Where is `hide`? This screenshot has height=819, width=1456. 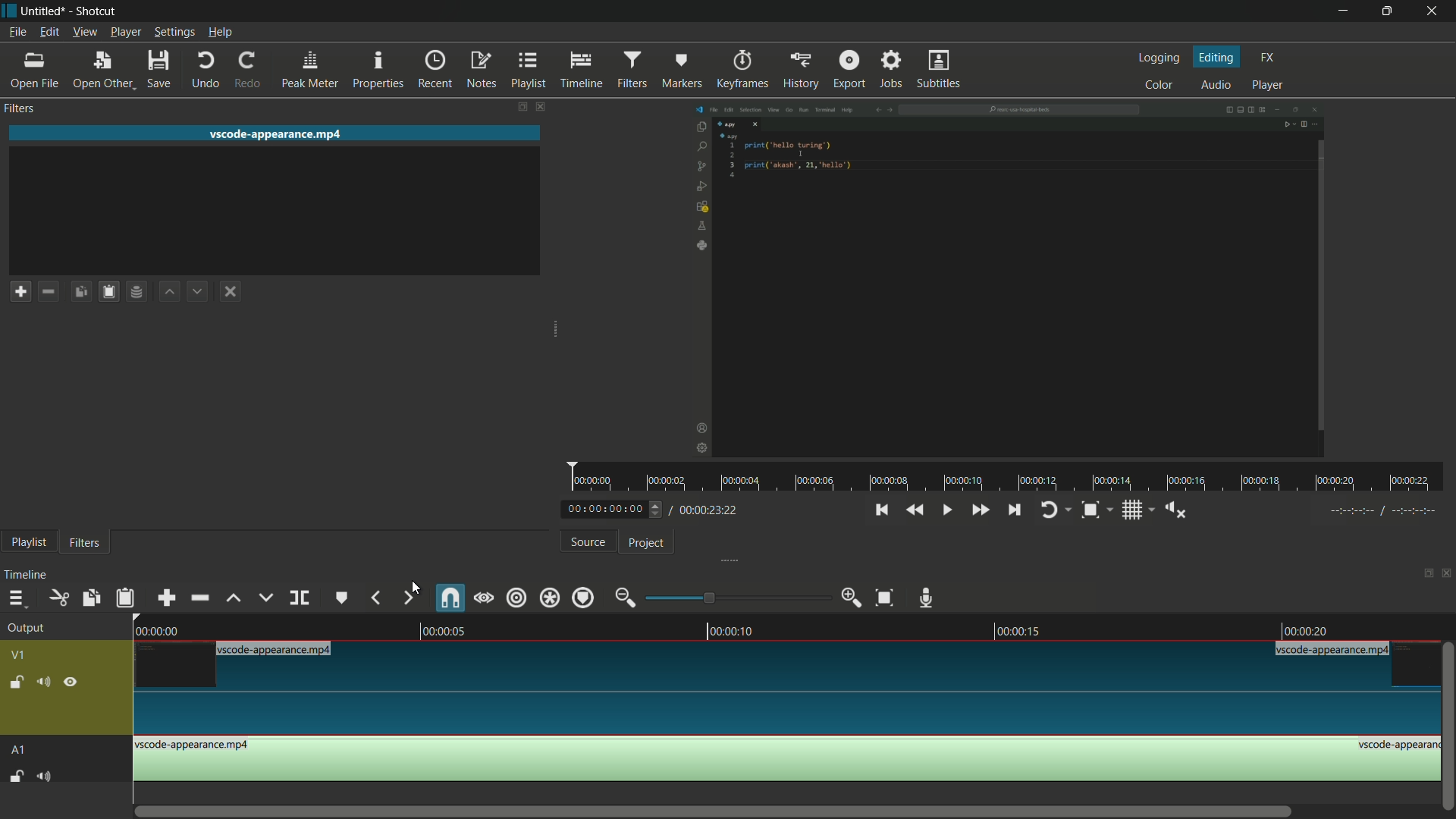
hide is located at coordinates (71, 682).